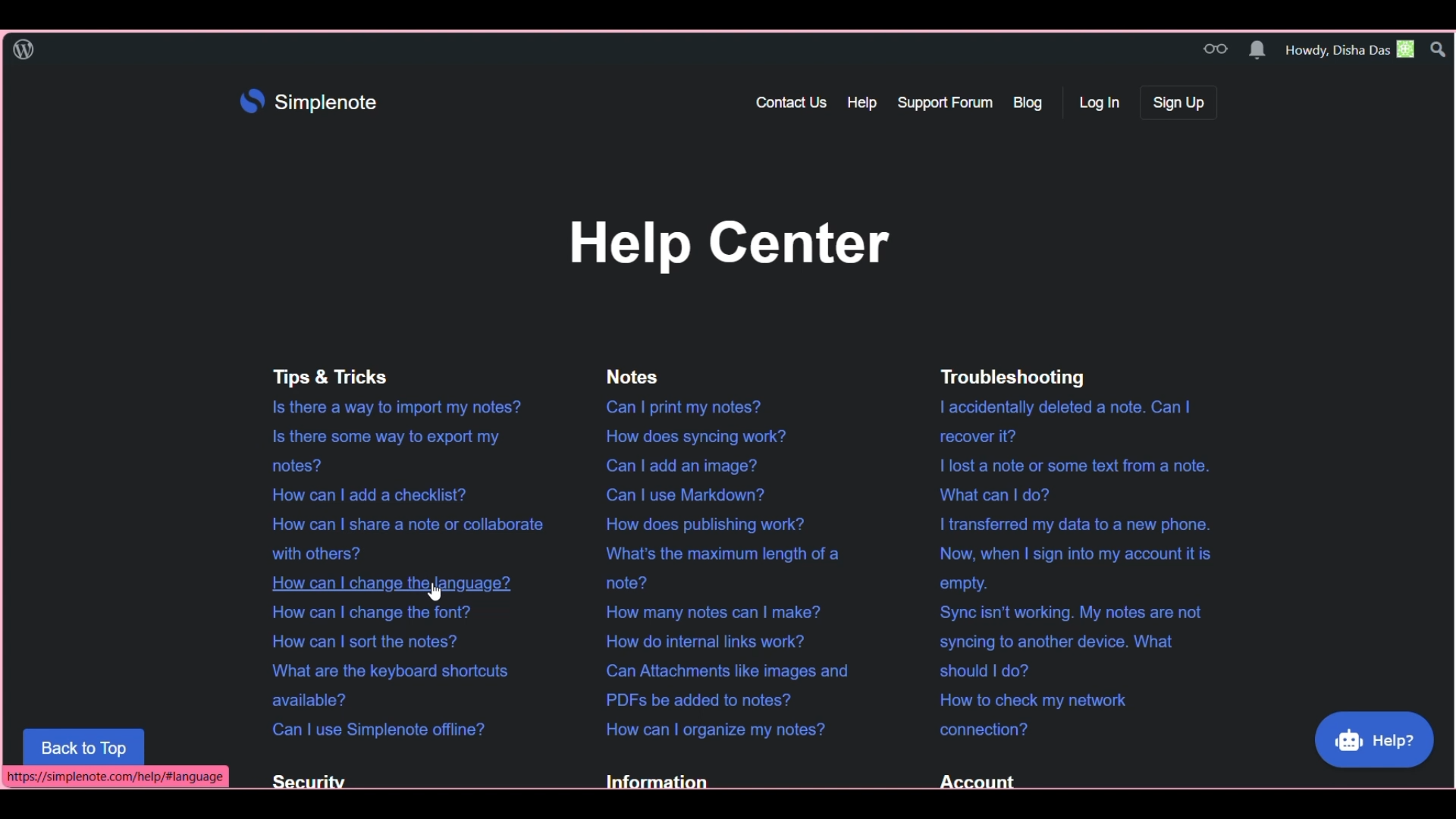 The width and height of the screenshot is (1456, 819). I want to click on cursor, so click(434, 595).